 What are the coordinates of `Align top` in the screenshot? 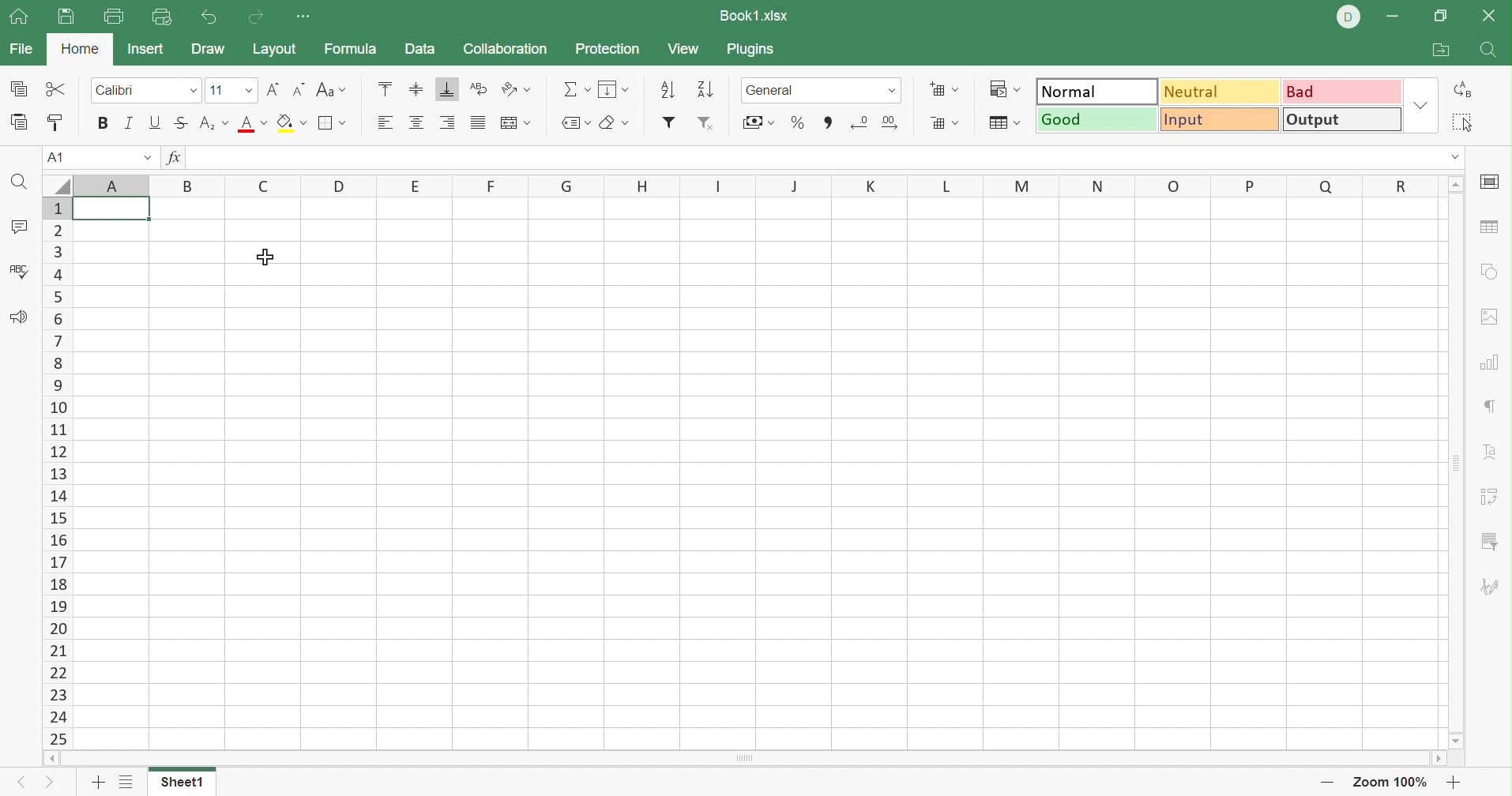 It's located at (386, 88).